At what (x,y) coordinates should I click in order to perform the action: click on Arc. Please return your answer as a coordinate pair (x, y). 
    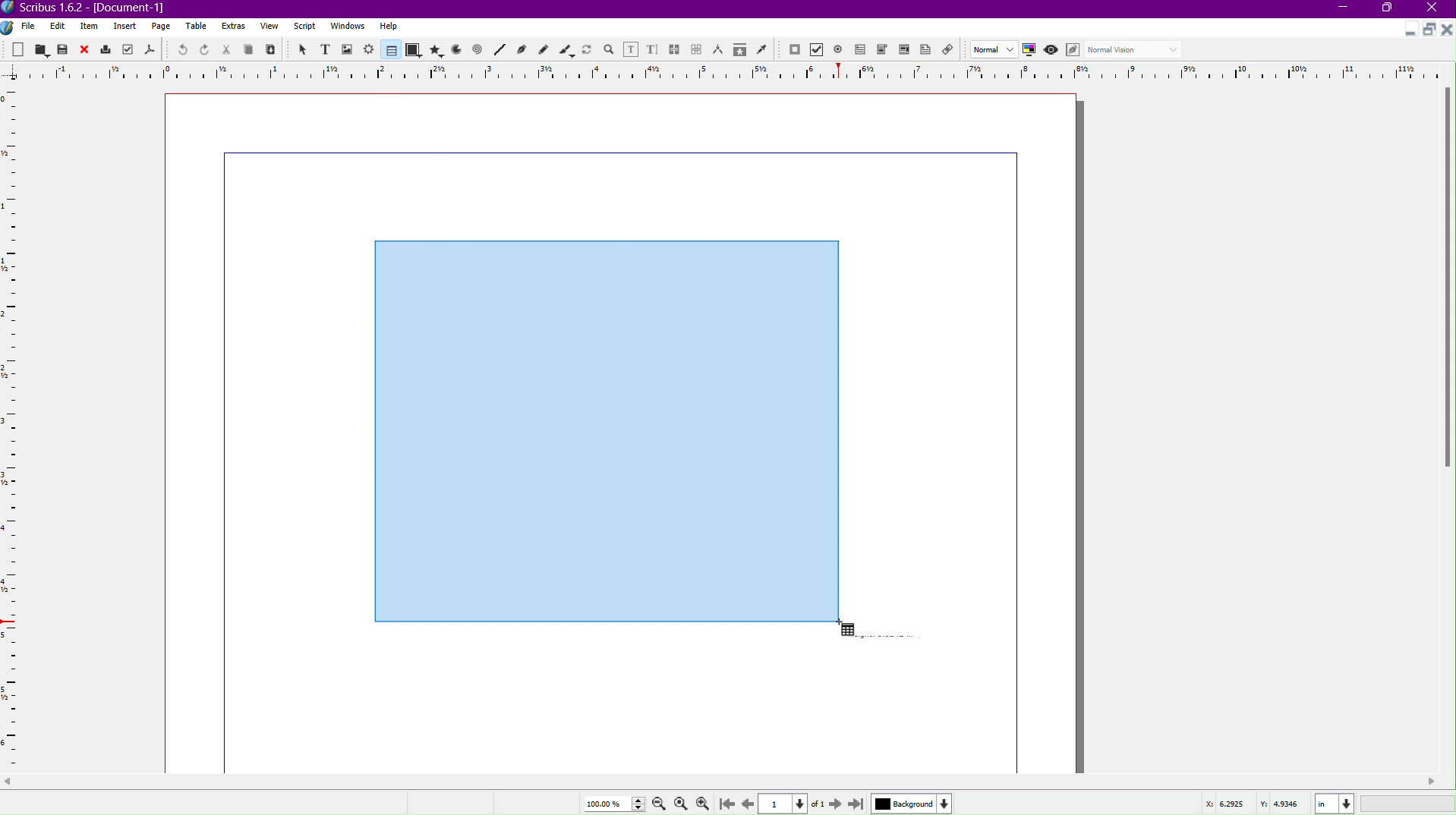
    Looking at the image, I should click on (456, 51).